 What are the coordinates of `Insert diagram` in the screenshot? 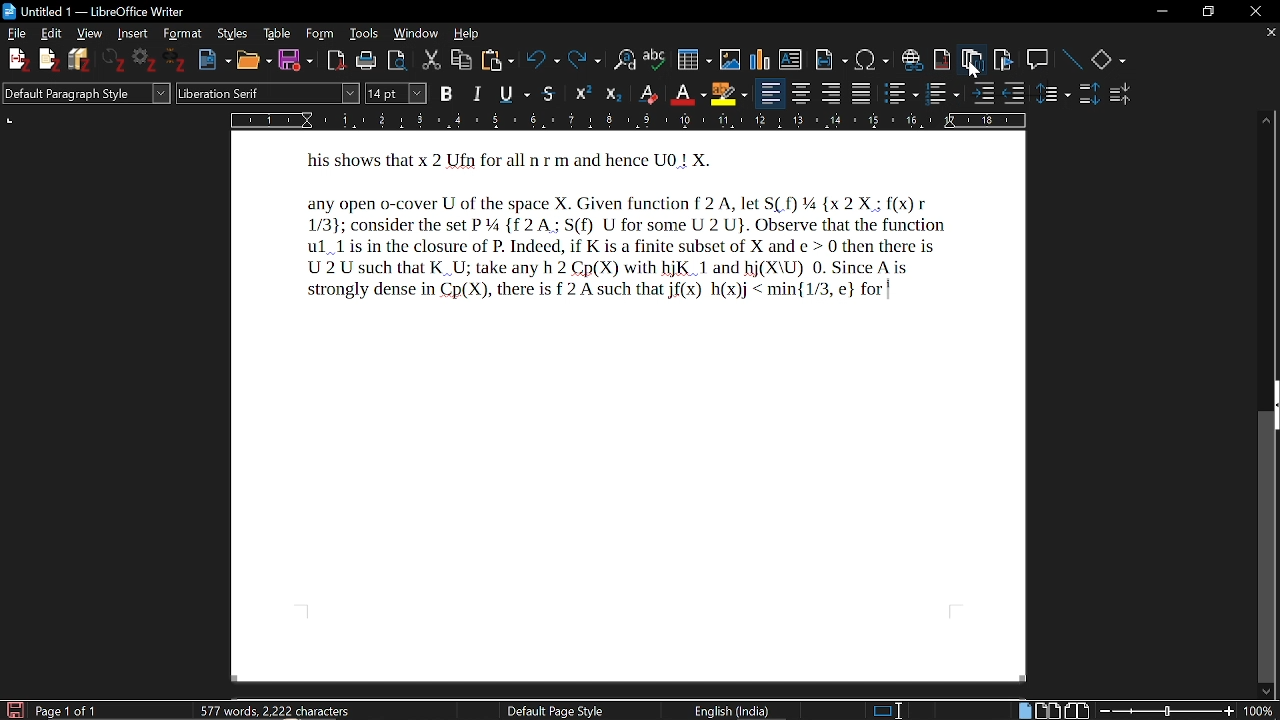 It's located at (759, 60).